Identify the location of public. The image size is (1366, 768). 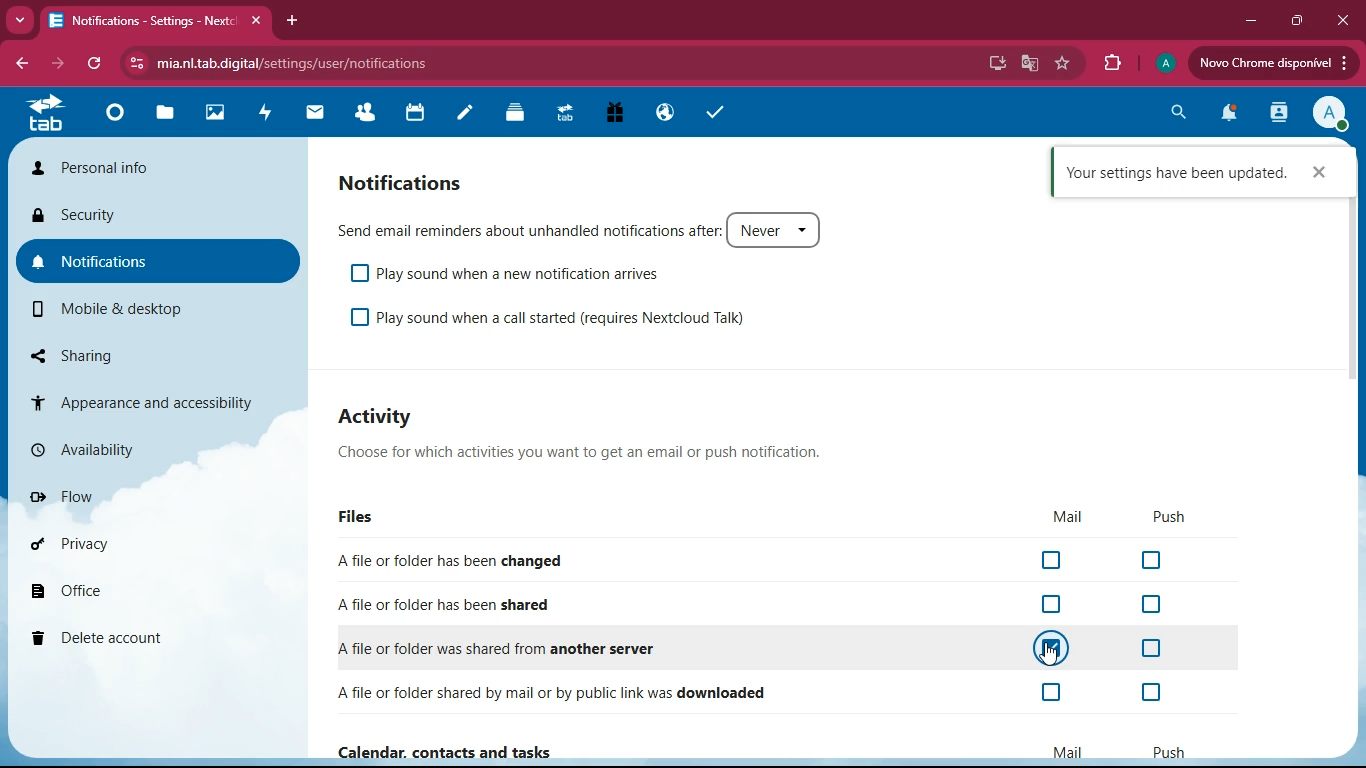
(663, 116).